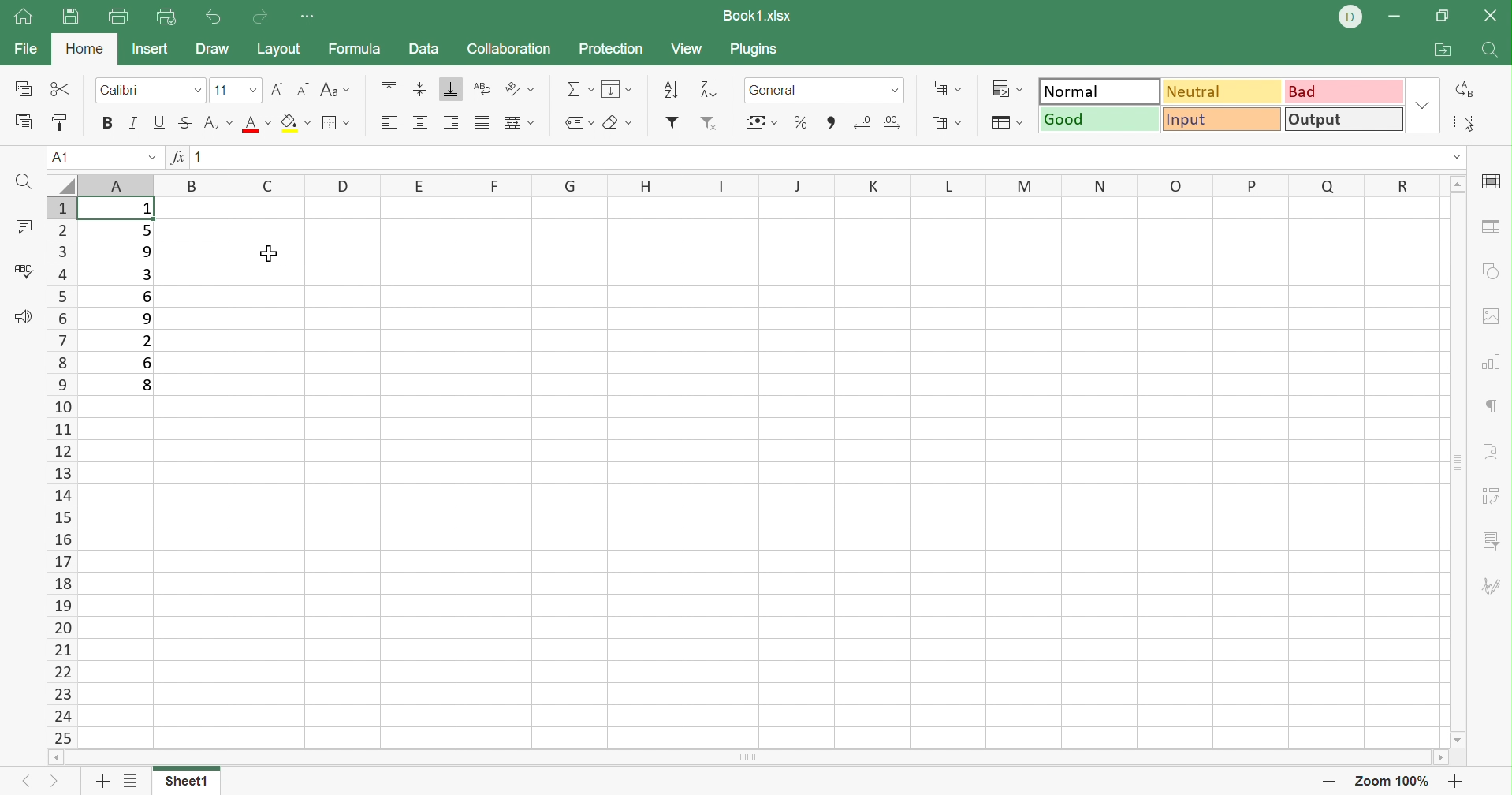 The image size is (1512, 795). I want to click on Drop Down, so click(151, 159).